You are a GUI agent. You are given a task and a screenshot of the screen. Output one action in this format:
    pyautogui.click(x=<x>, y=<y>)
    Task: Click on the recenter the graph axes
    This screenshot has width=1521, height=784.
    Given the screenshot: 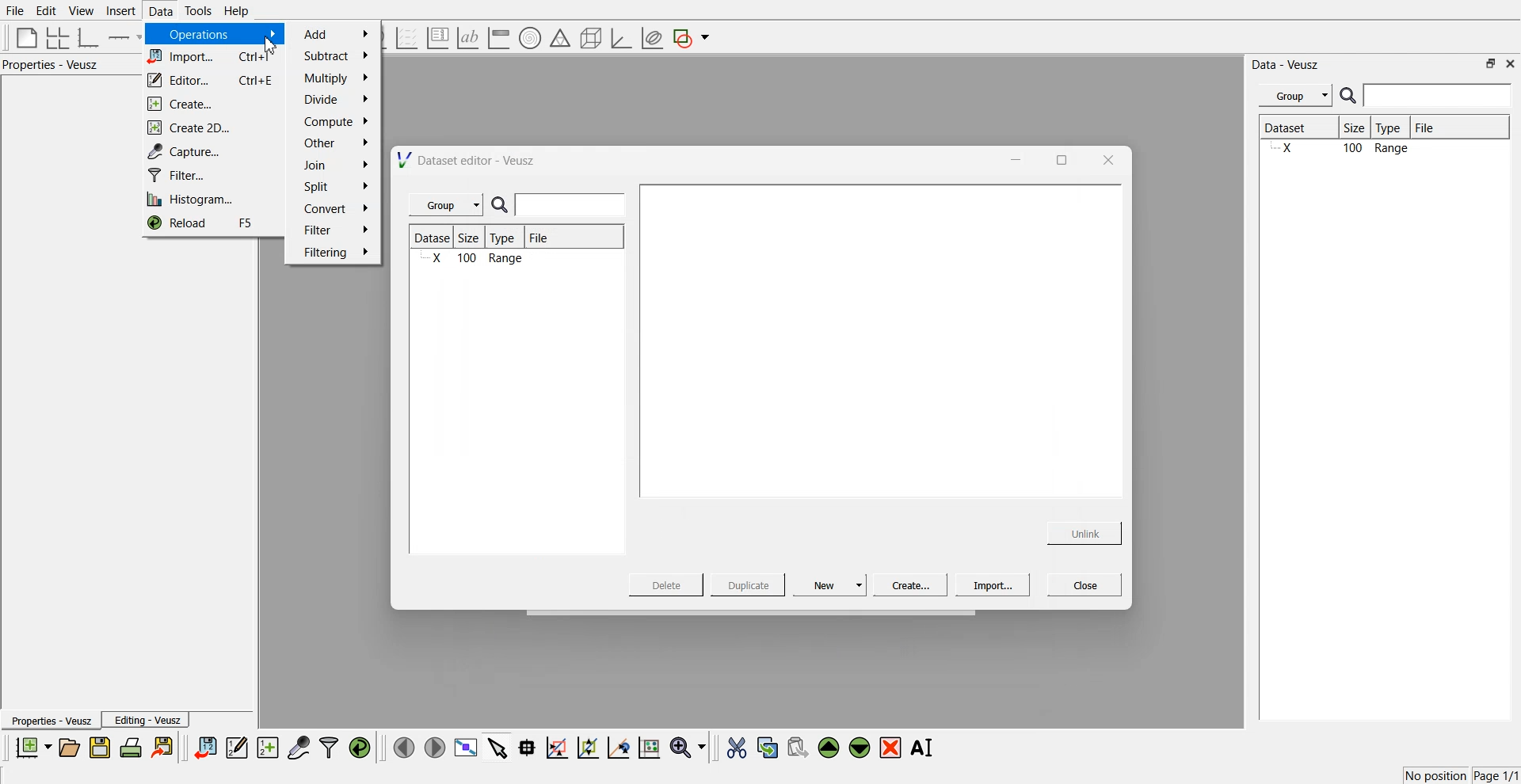 What is the action you would take?
    pyautogui.click(x=618, y=747)
    